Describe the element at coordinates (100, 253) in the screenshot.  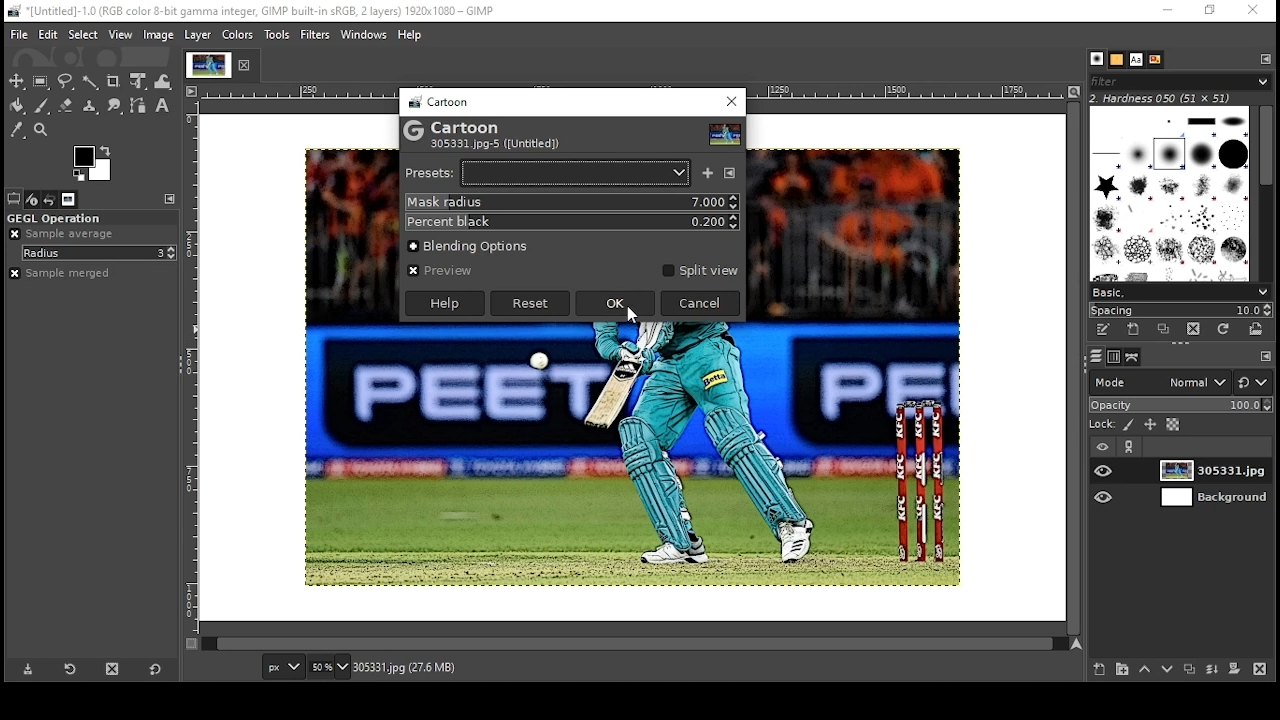
I see `radius` at that location.